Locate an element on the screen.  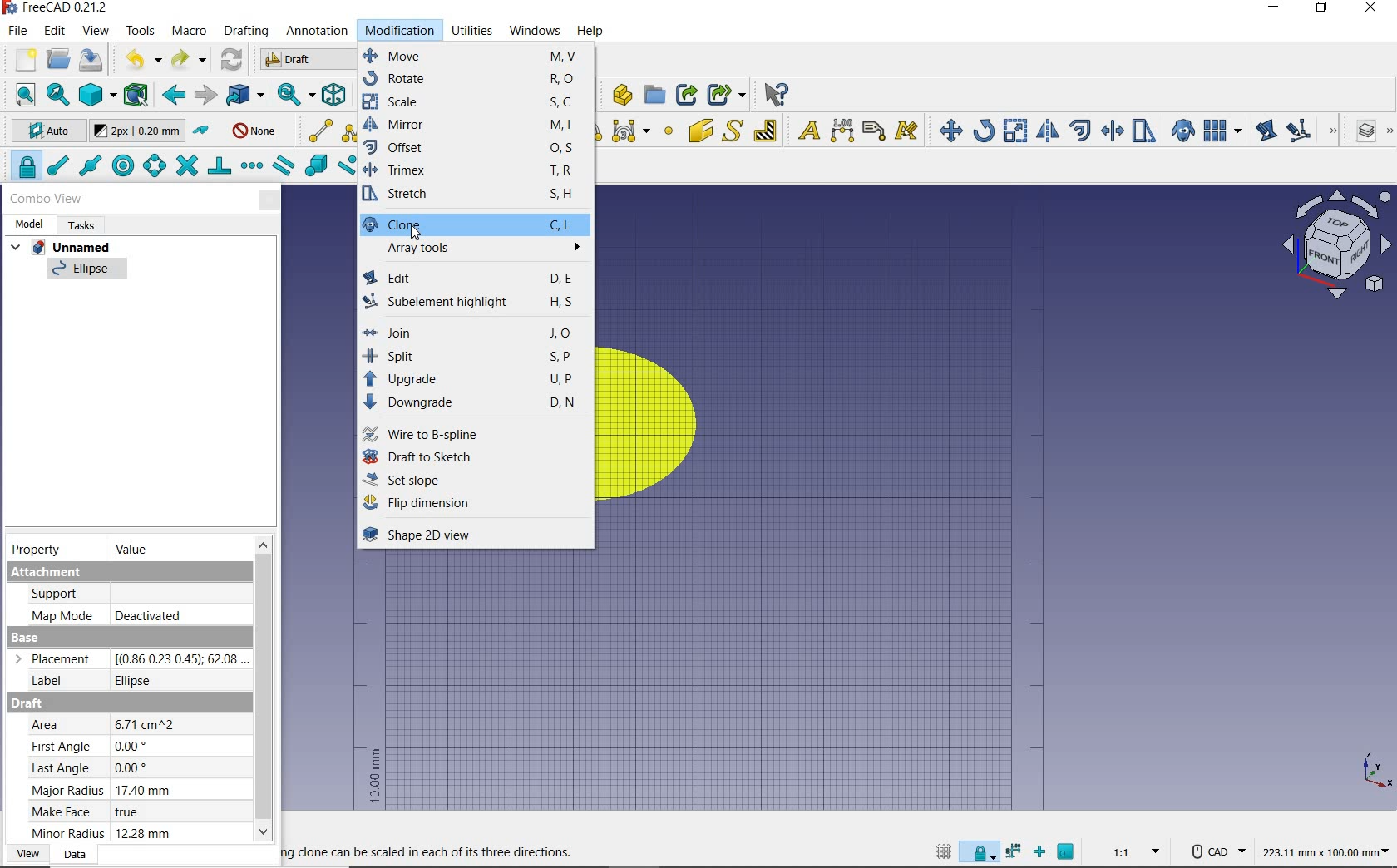
forward is located at coordinates (205, 94).